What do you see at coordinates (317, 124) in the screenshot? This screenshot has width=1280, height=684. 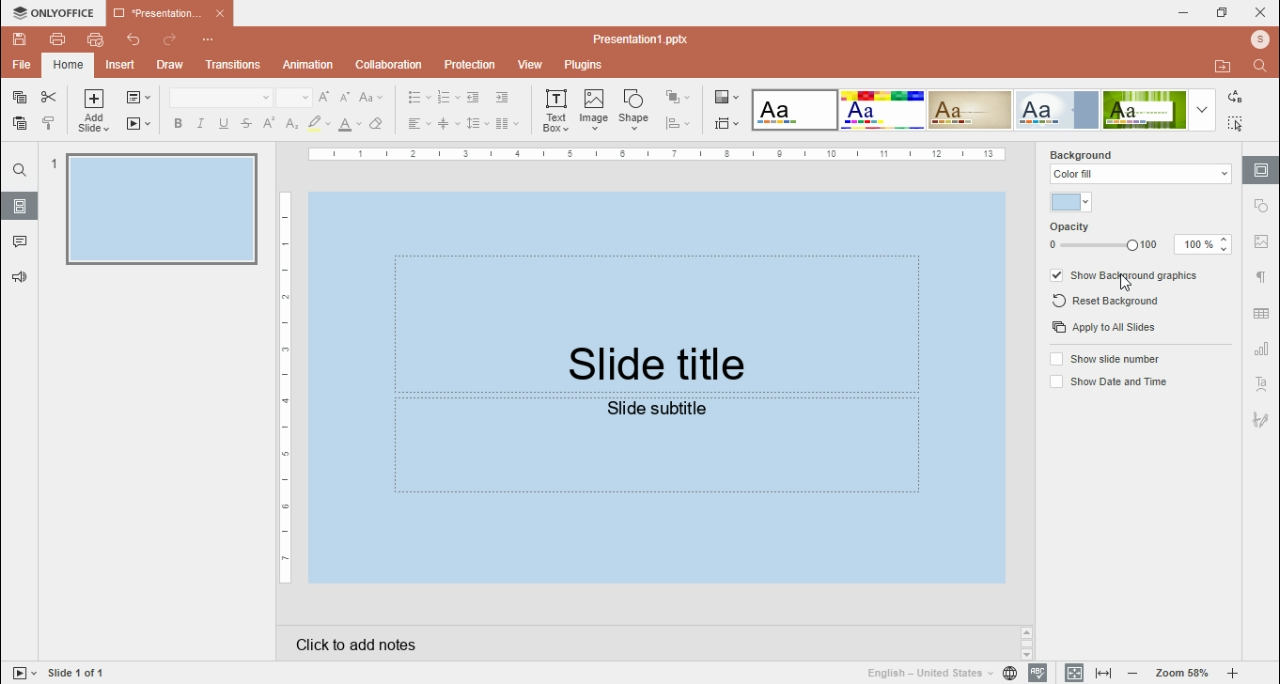 I see `highlight color` at bounding box center [317, 124].